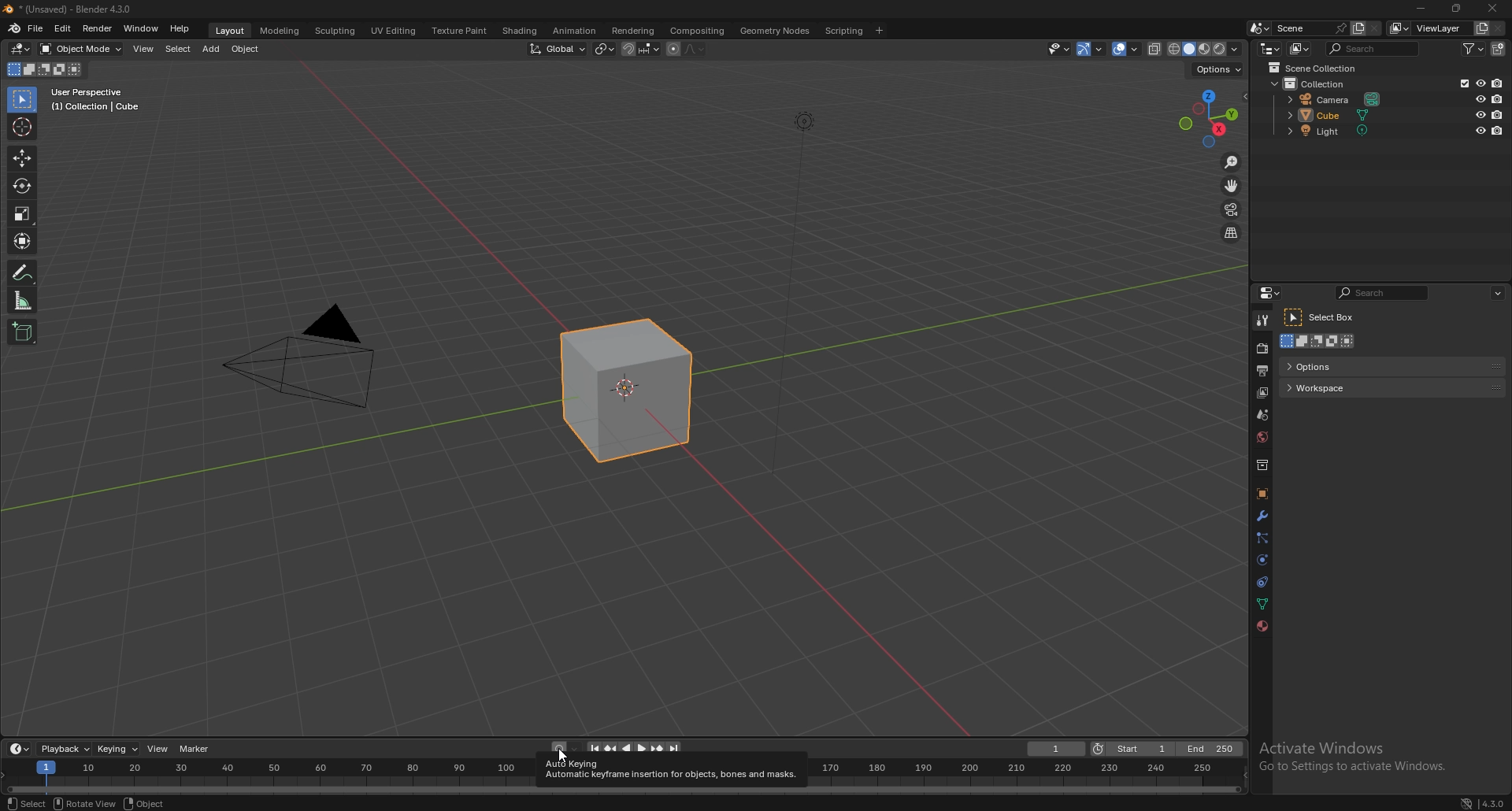 This screenshot has height=811, width=1512. I want to click on collection, so click(1316, 83).